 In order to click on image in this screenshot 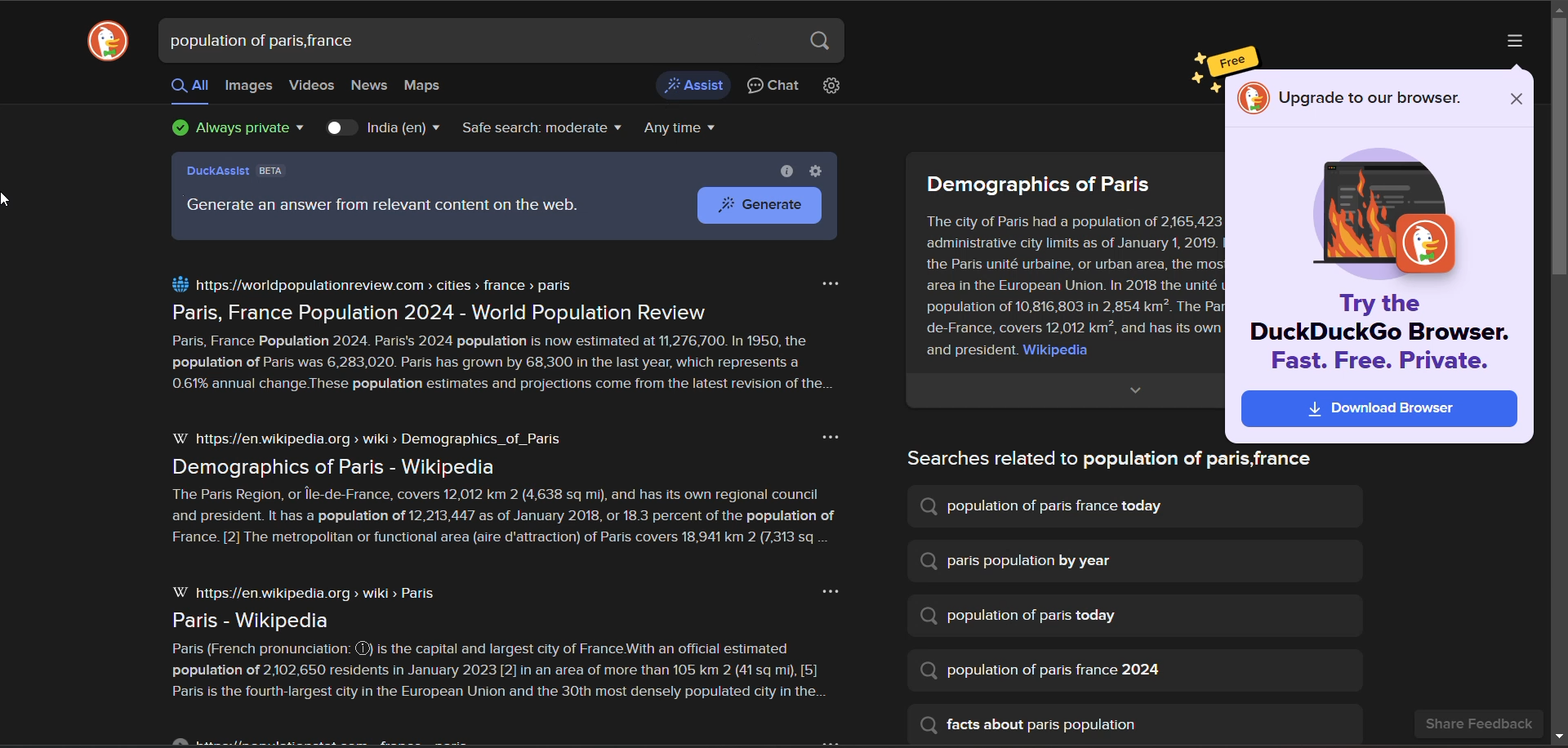, I will do `click(1383, 214)`.